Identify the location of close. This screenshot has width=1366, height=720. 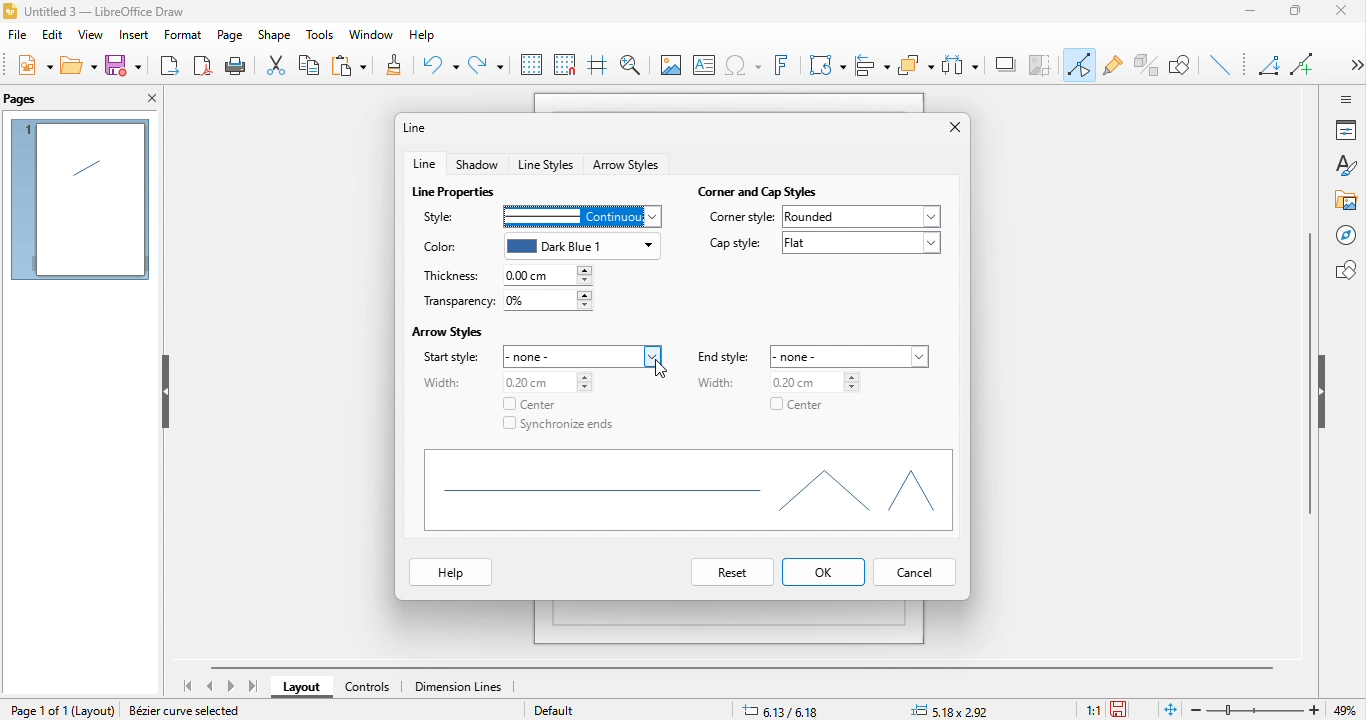
(947, 128).